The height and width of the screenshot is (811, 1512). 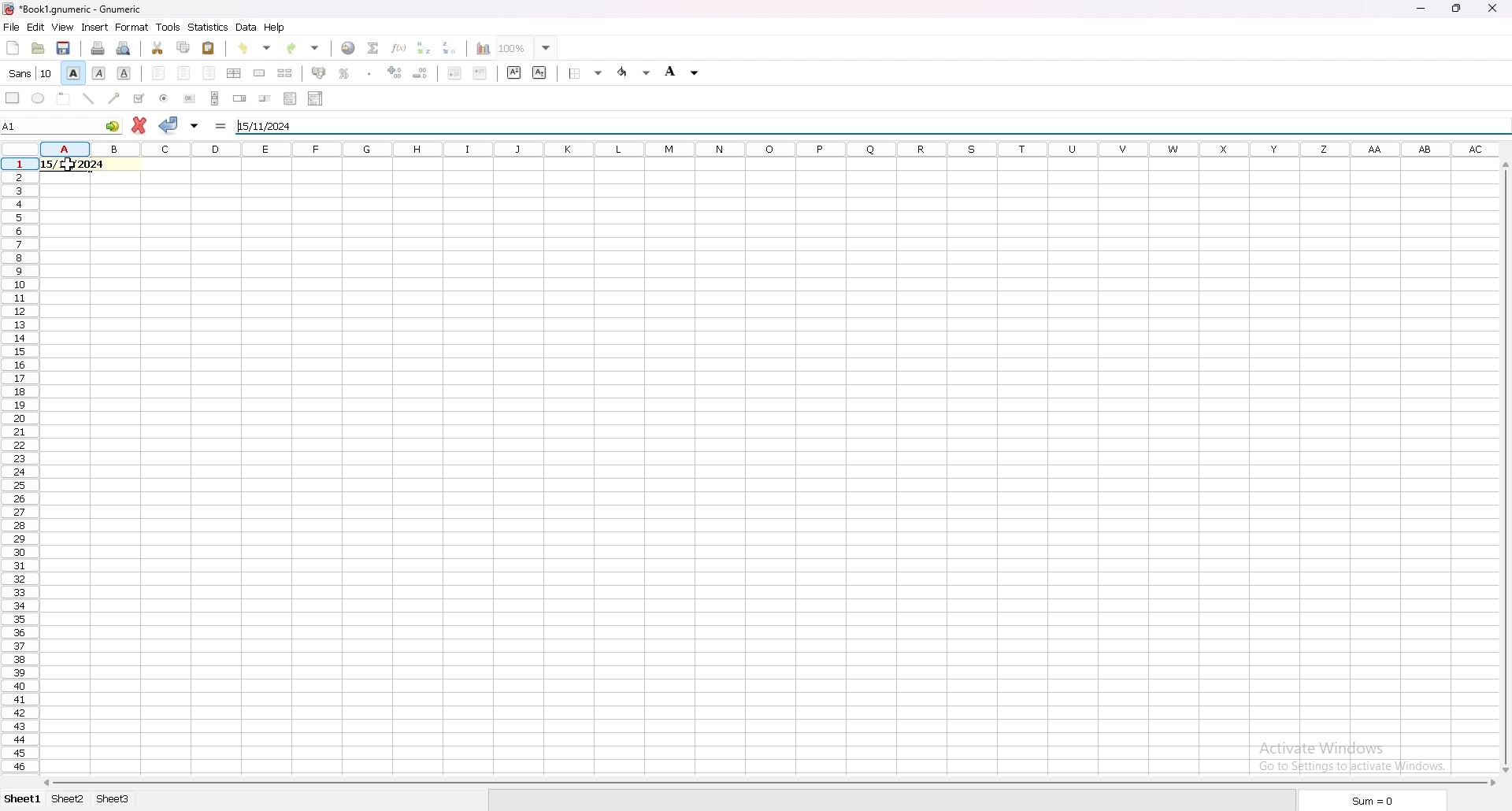 What do you see at coordinates (254, 48) in the screenshot?
I see `undo` at bounding box center [254, 48].